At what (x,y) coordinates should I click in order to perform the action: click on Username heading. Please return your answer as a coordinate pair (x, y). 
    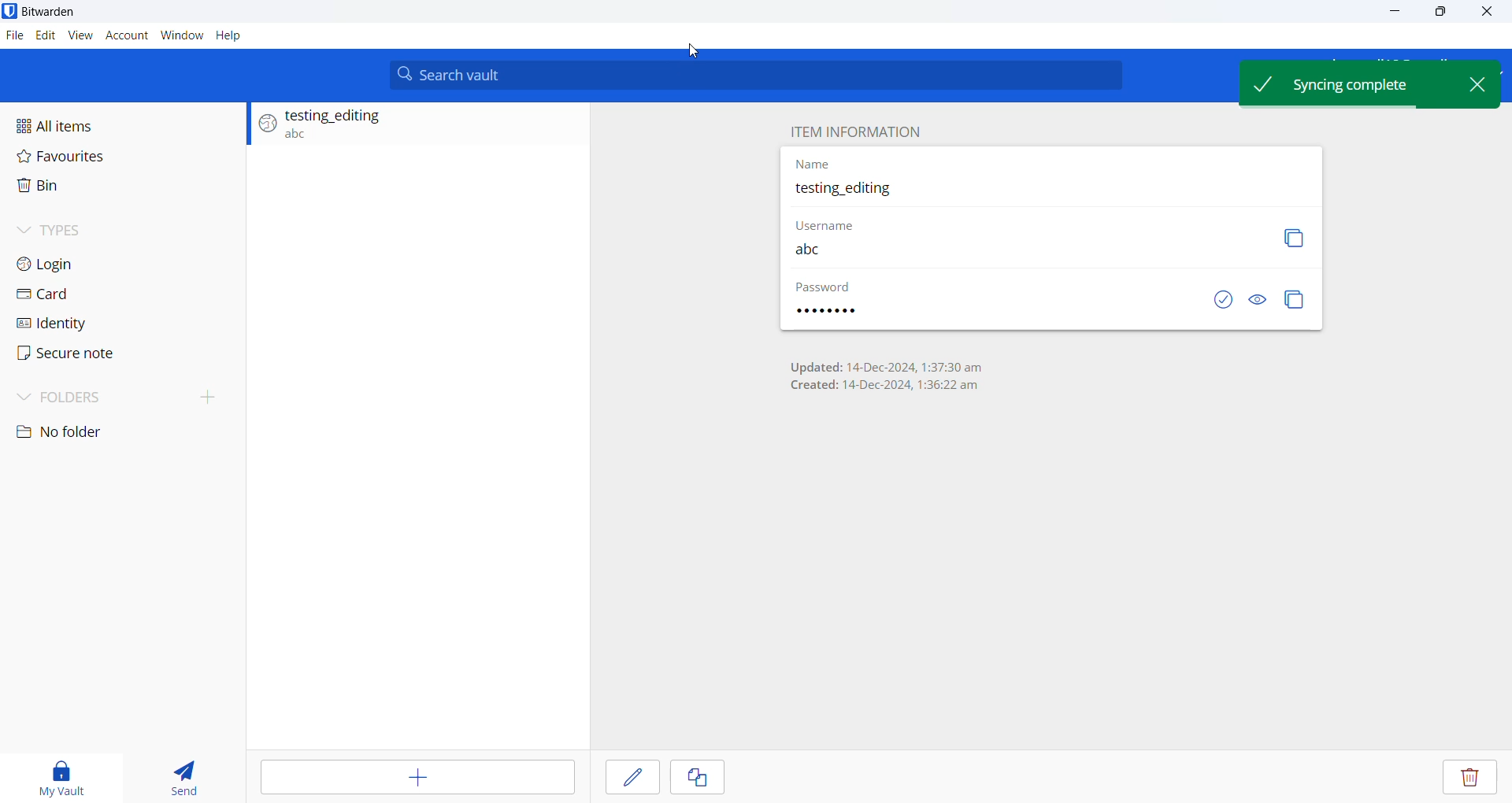
    Looking at the image, I should click on (837, 223).